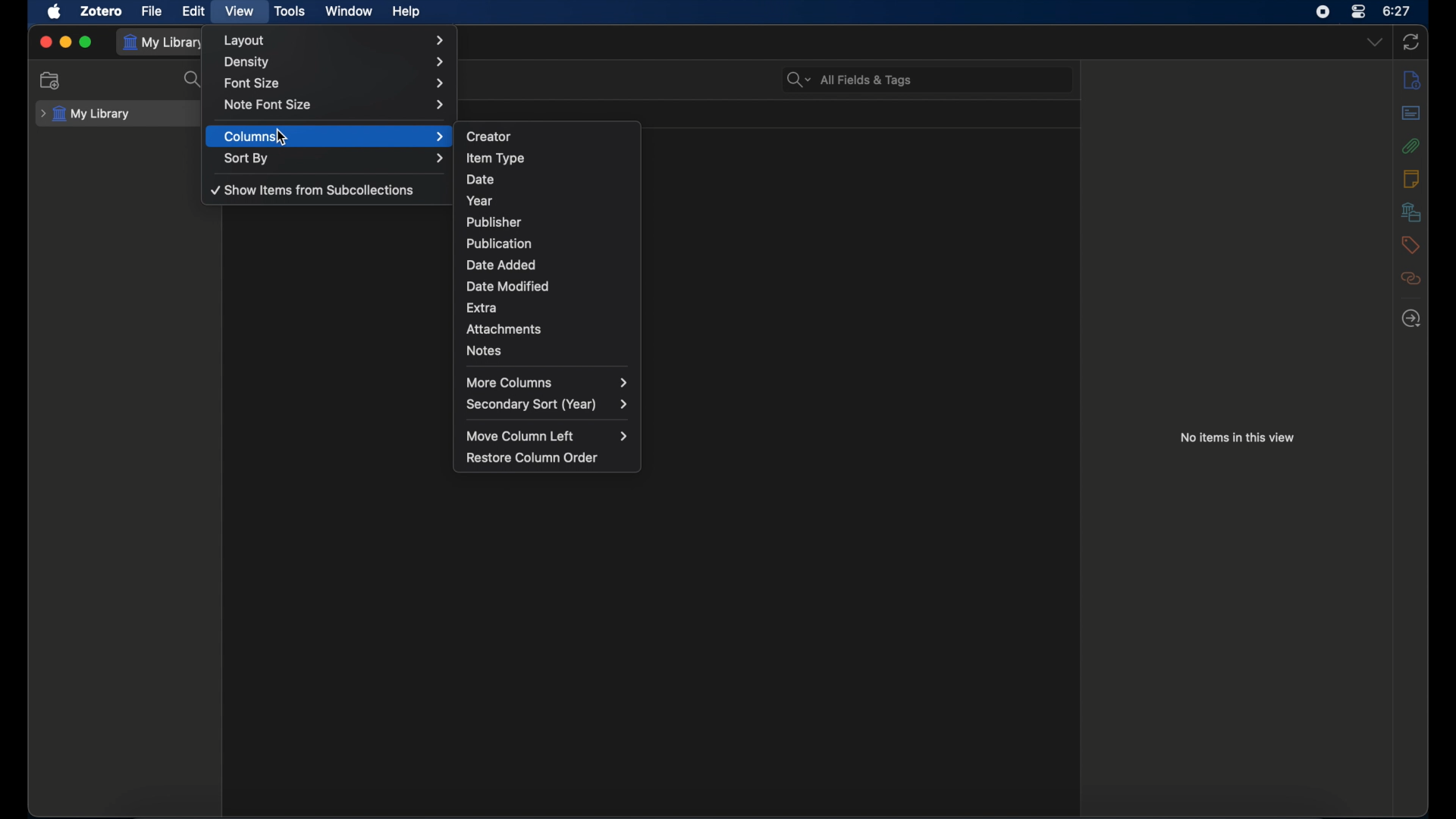 This screenshot has width=1456, height=819. What do you see at coordinates (335, 104) in the screenshot?
I see `note font size` at bounding box center [335, 104].